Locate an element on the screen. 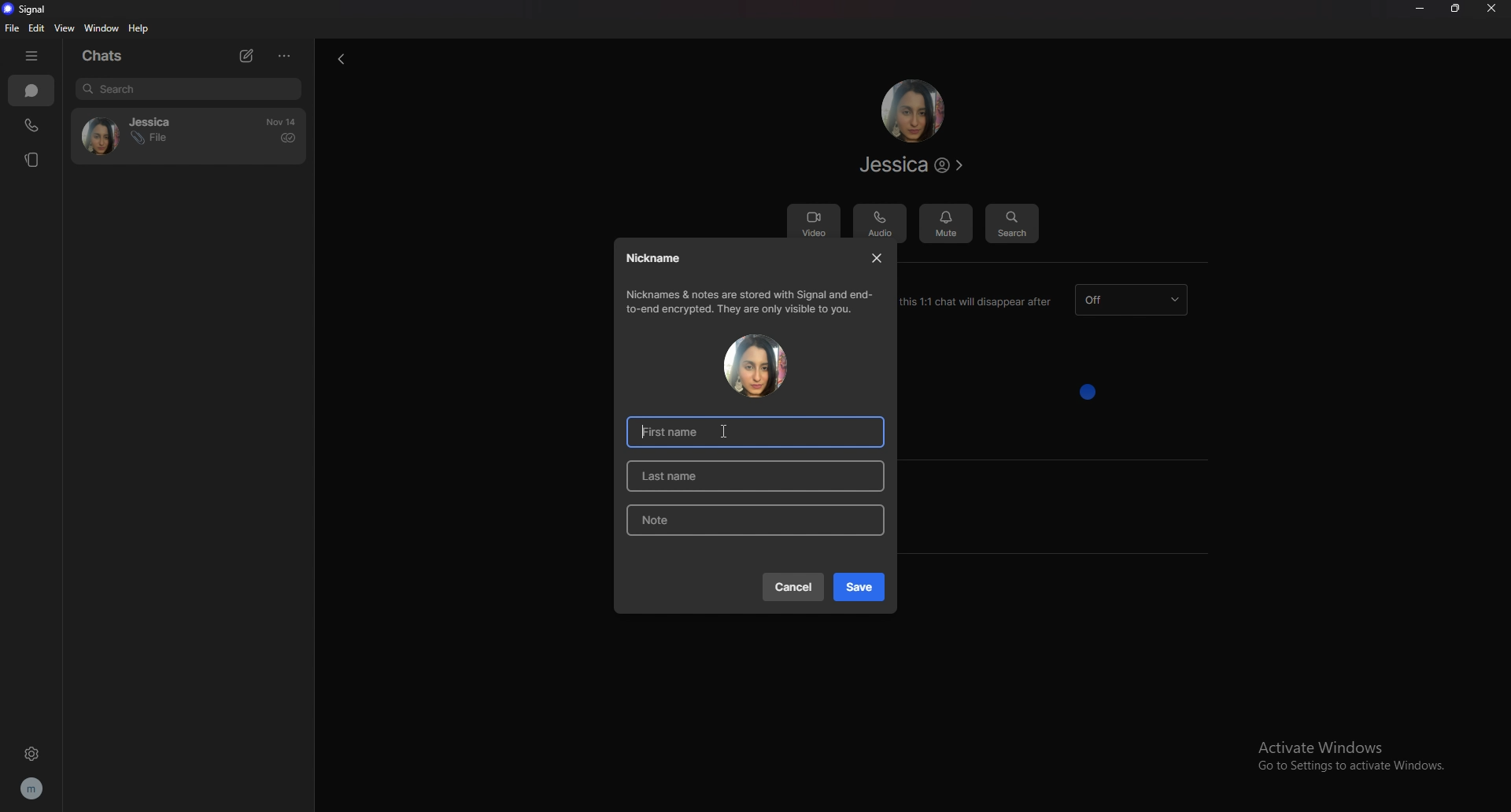 The width and height of the screenshot is (1511, 812). settings is located at coordinates (34, 751).